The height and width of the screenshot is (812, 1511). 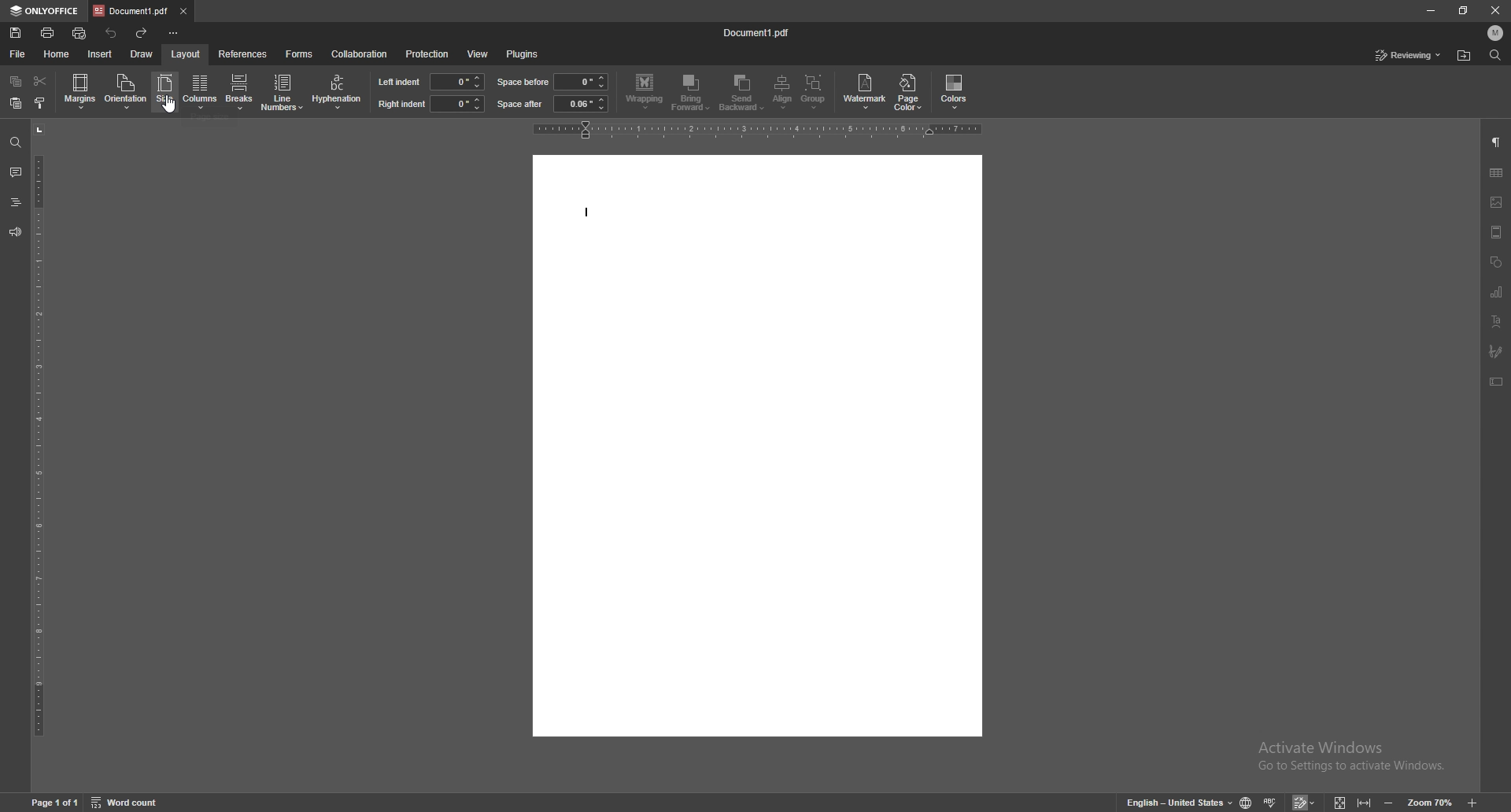 What do you see at coordinates (284, 91) in the screenshot?
I see `line numbers` at bounding box center [284, 91].